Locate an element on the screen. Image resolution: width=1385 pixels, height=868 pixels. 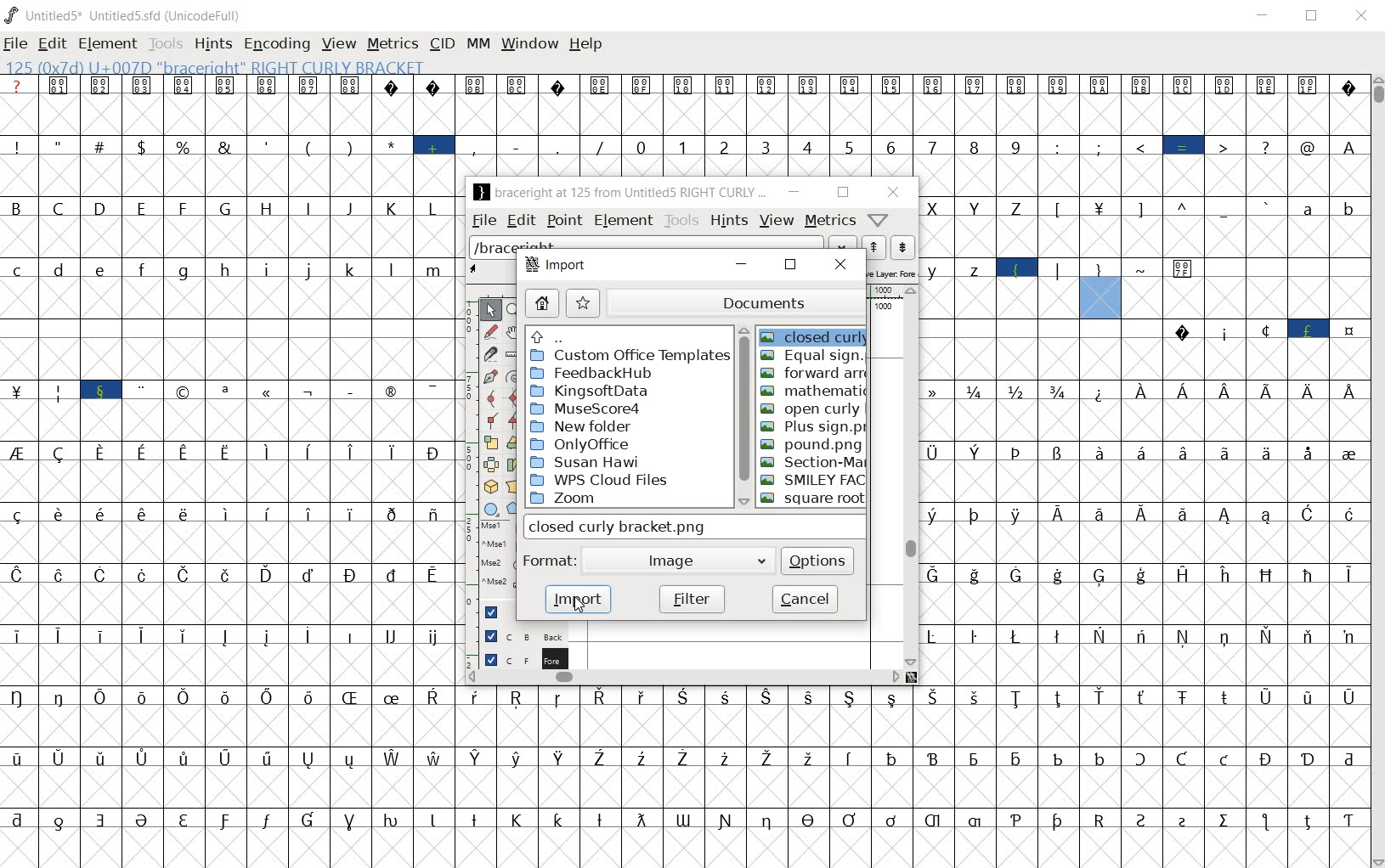
RESTORE DOWN is located at coordinates (1315, 17).